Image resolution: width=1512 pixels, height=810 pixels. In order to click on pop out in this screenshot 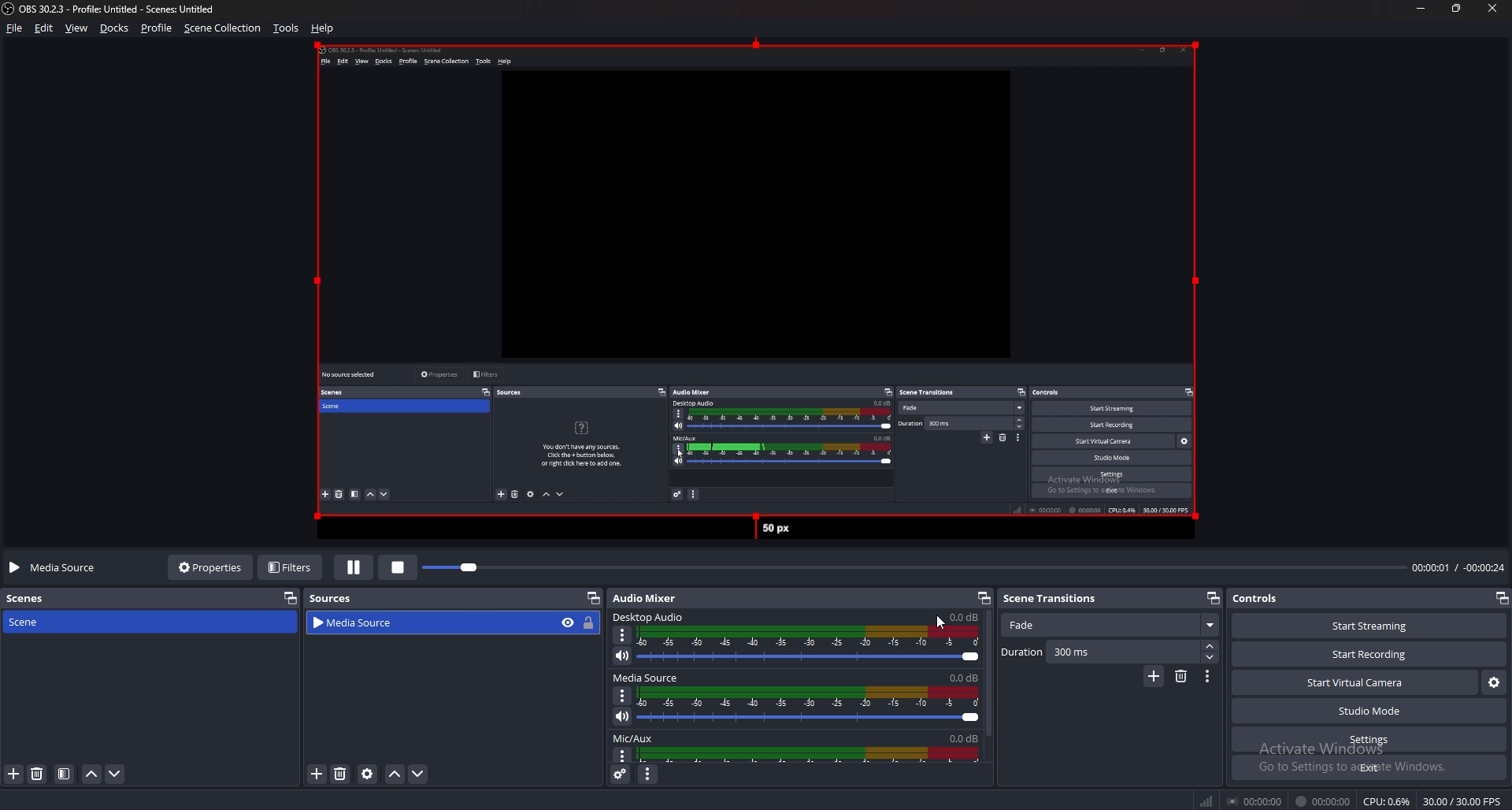, I will do `click(1501, 600)`.